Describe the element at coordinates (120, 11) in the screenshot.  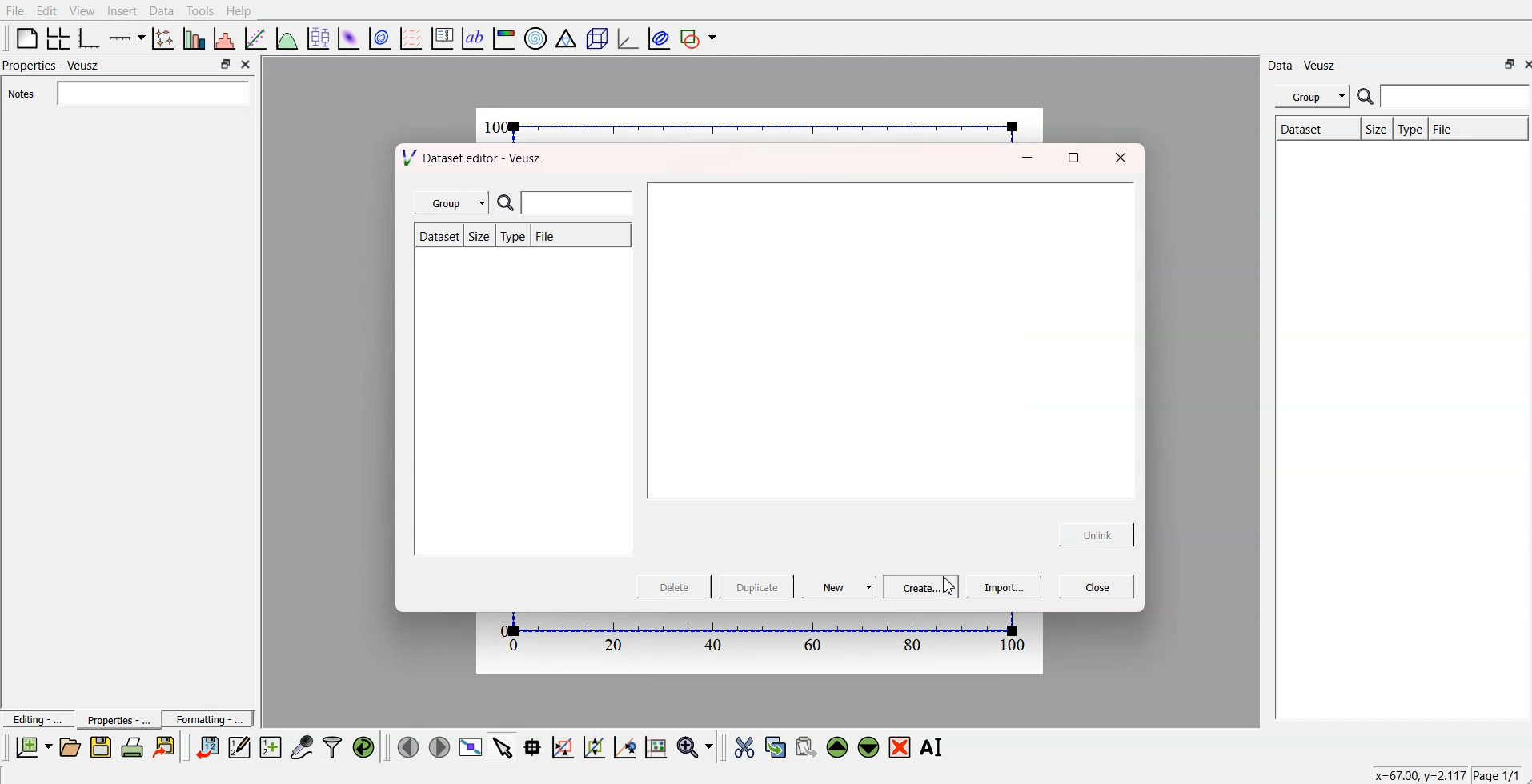
I see `Insert` at that location.